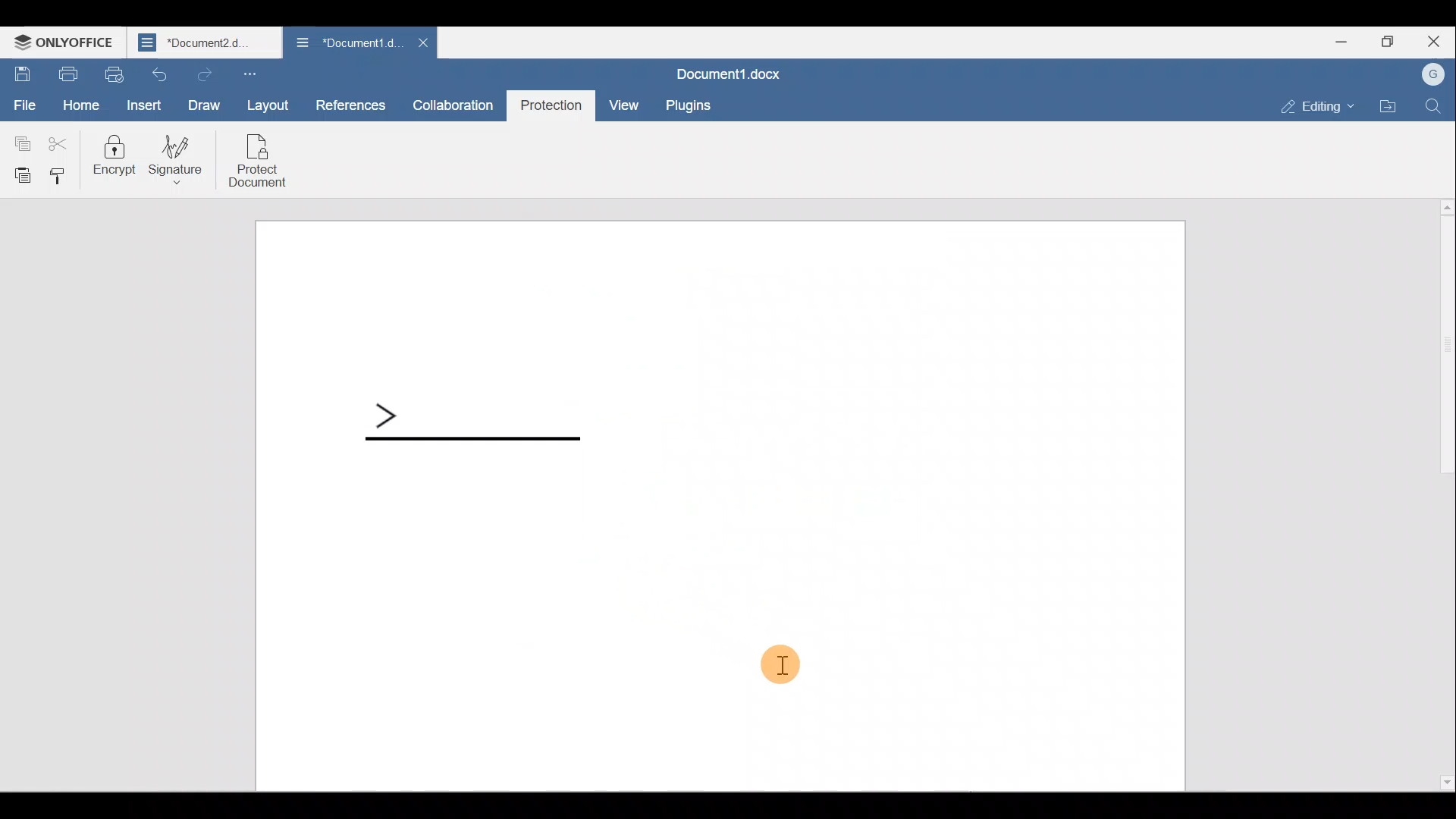 This screenshot has height=819, width=1456. I want to click on Maximize, so click(1386, 38).